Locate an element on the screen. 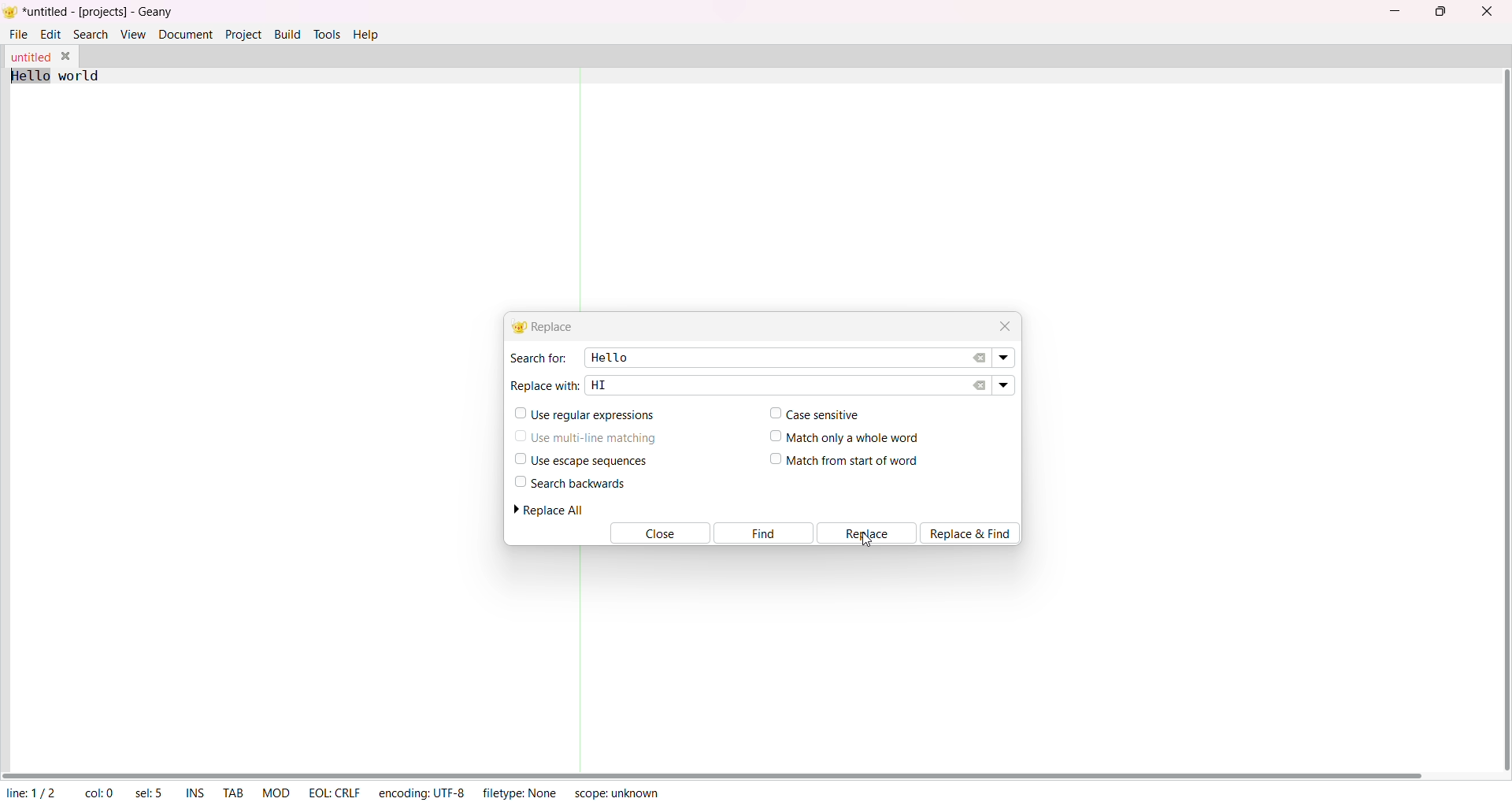  clear replace is located at coordinates (980, 385).